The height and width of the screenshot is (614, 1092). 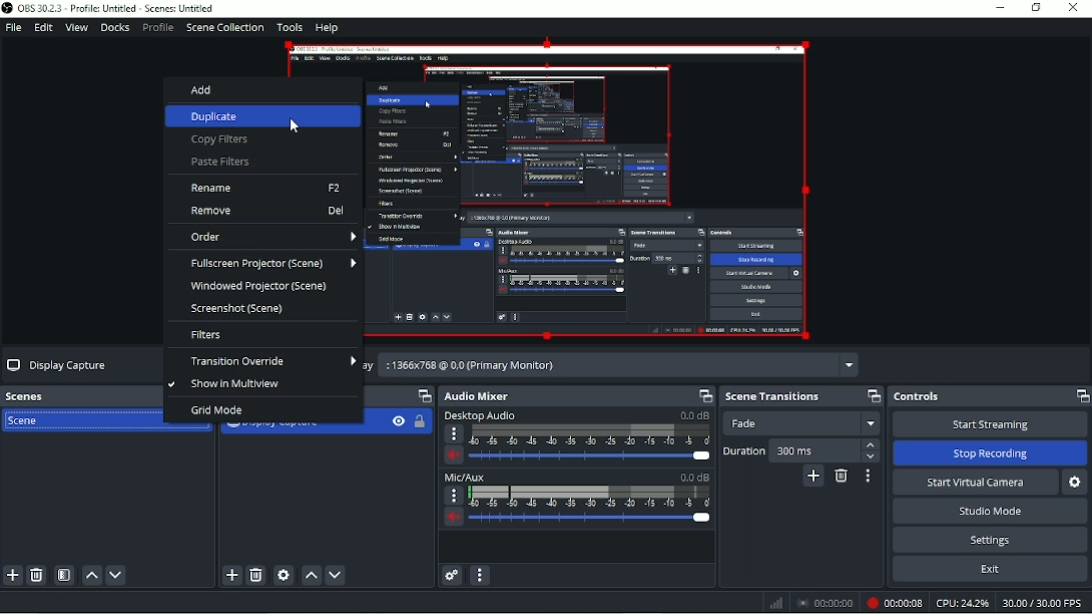 What do you see at coordinates (38, 575) in the screenshot?
I see `Remove selected scene` at bounding box center [38, 575].